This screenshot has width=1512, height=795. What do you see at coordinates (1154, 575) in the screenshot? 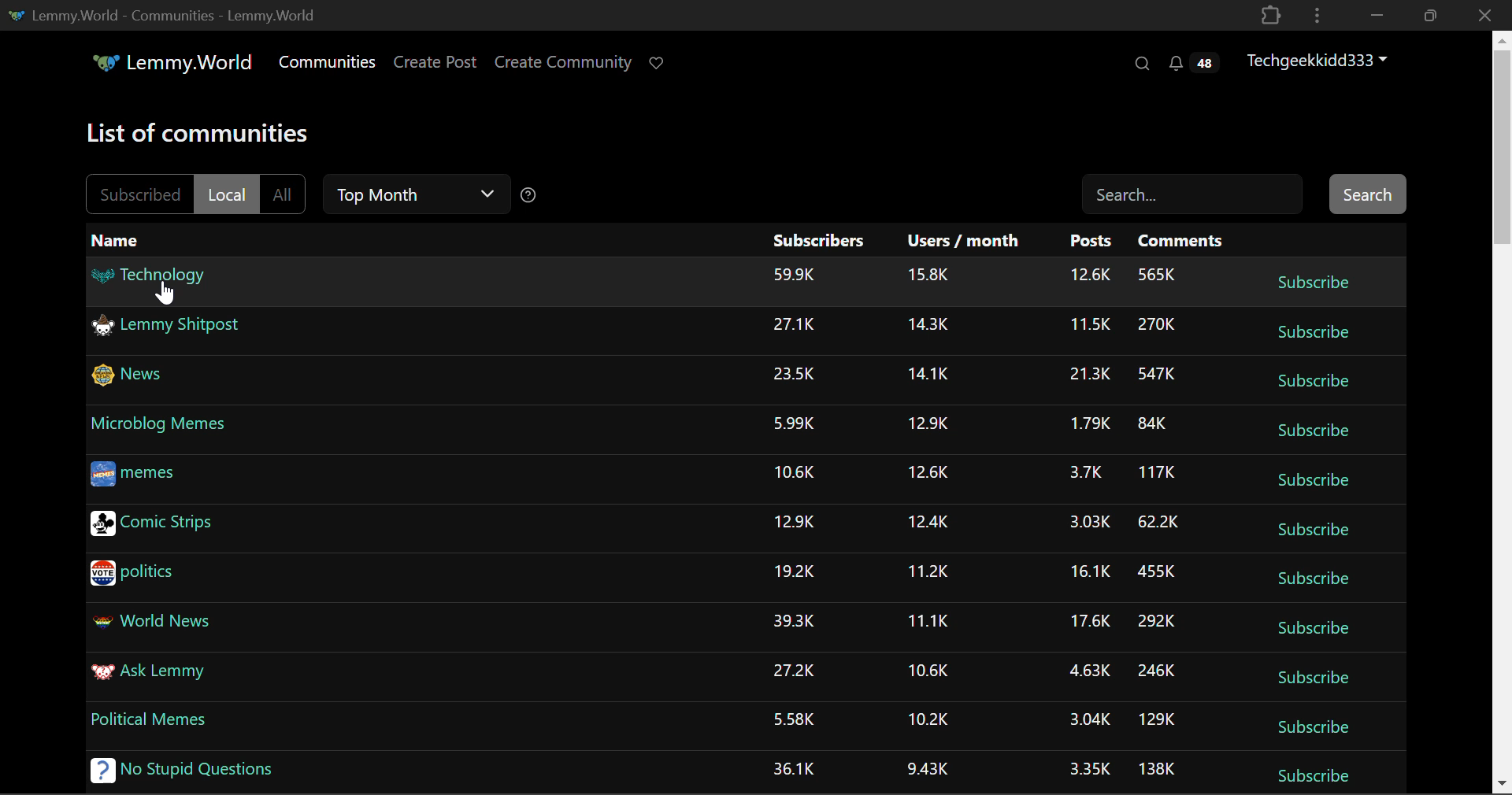
I see `Amount ` at bounding box center [1154, 575].